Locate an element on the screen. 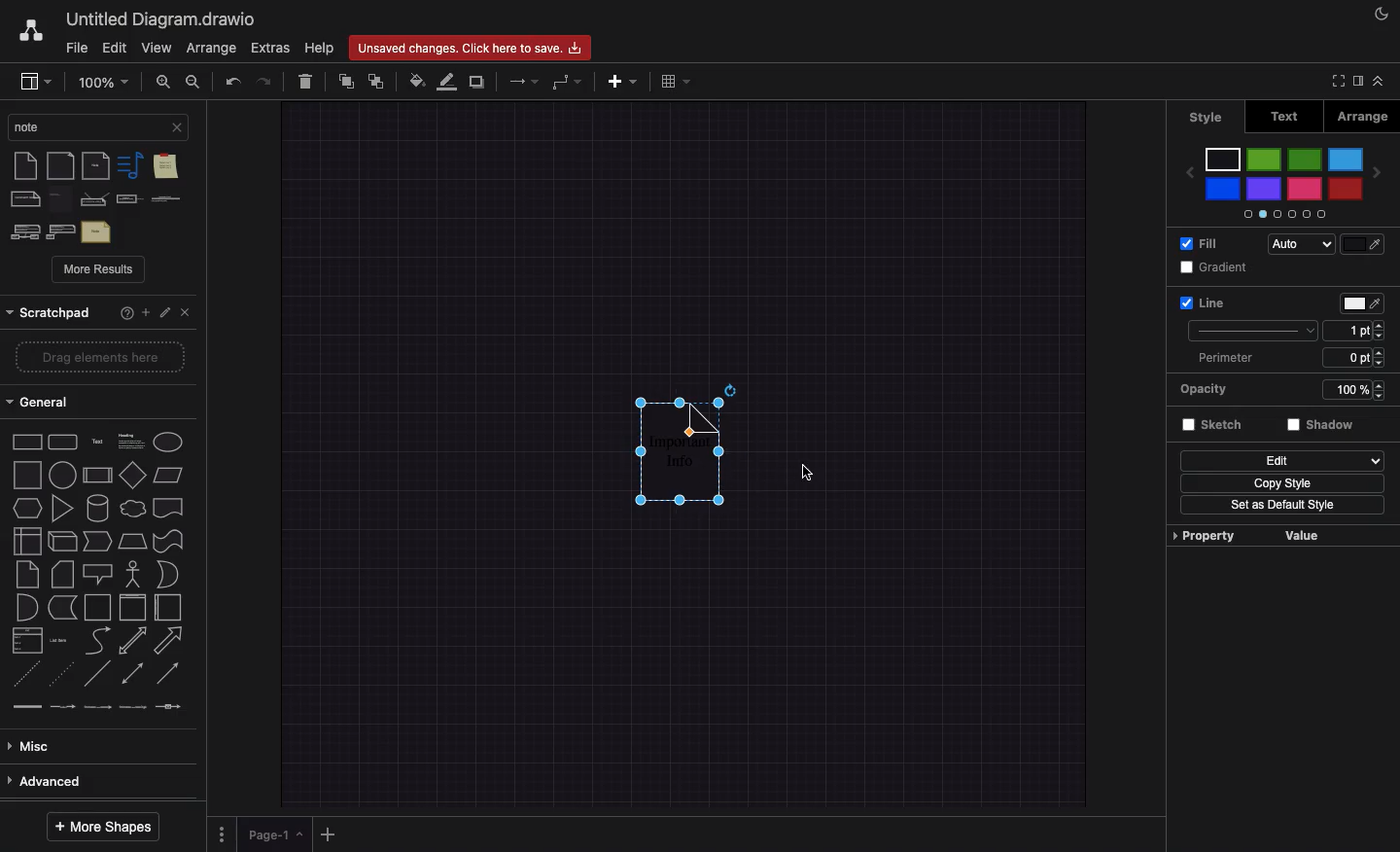 Image resolution: width=1400 pixels, height=852 pixels. decrease opacity is located at coordinates (1379, 398).